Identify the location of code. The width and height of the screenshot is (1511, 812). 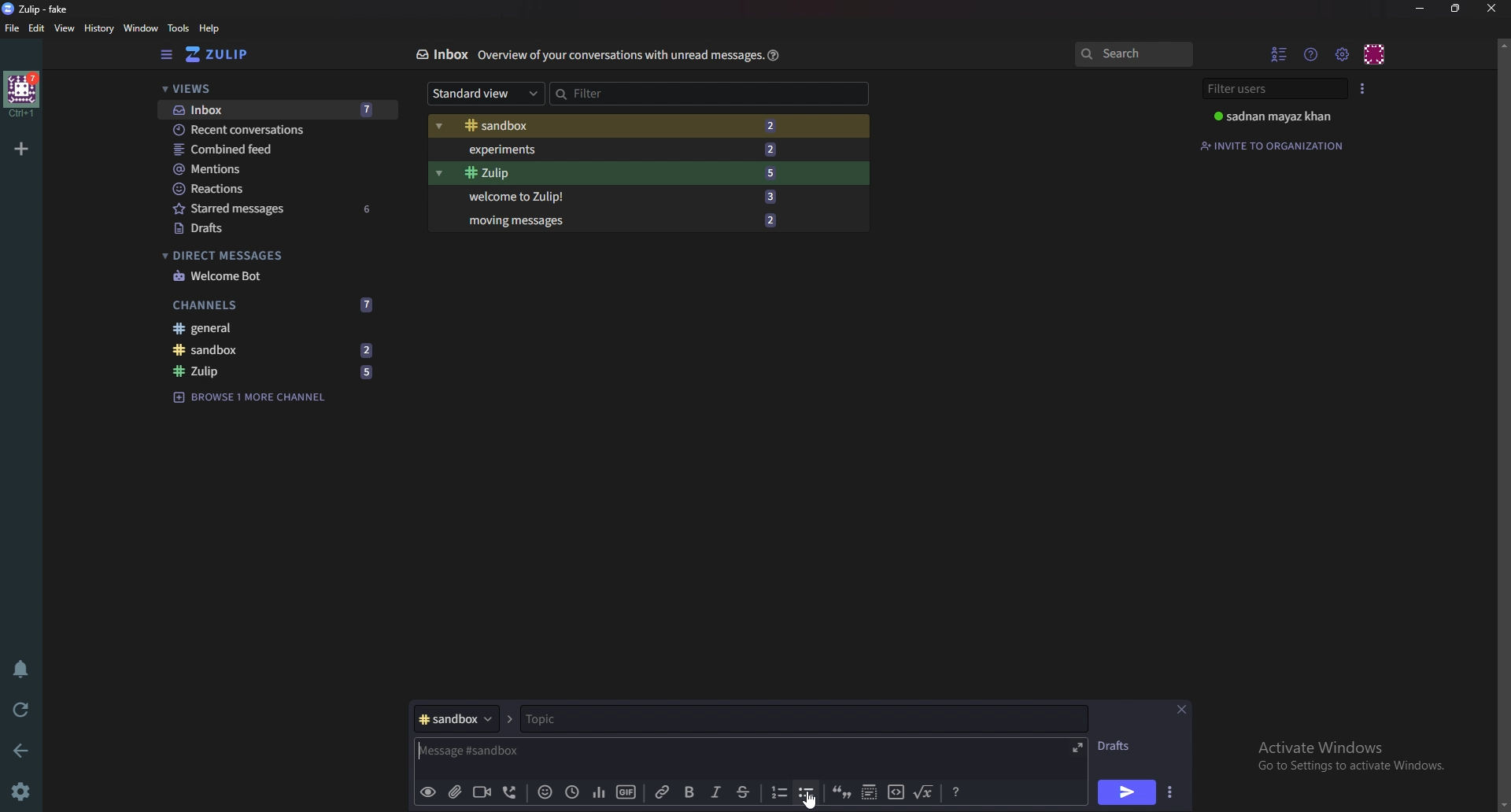
(896, 791).